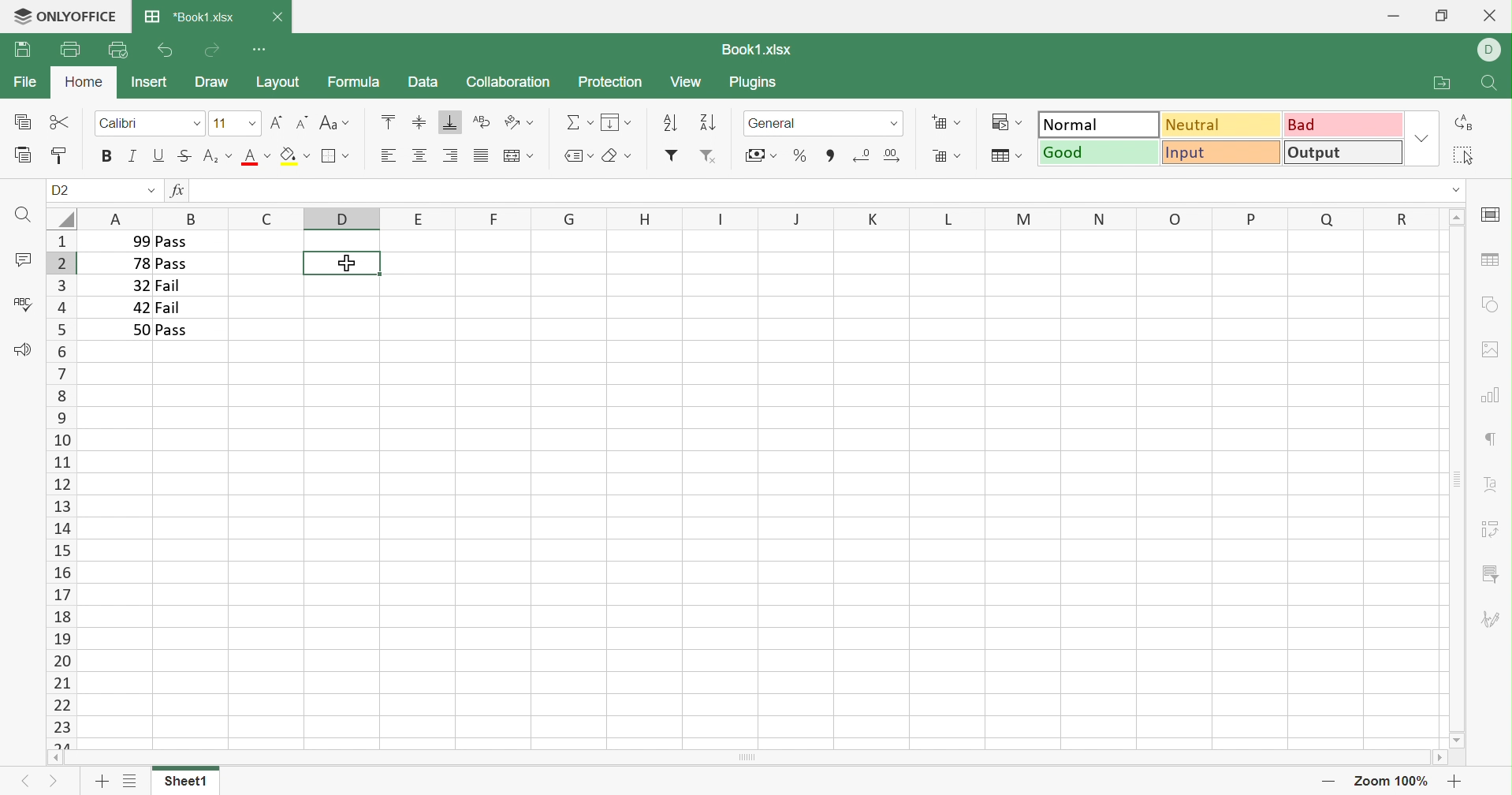  What do you see at coordinates (1396, 13) in the screenshot?
I see `Minimize` at bounding box center [1396, 13].